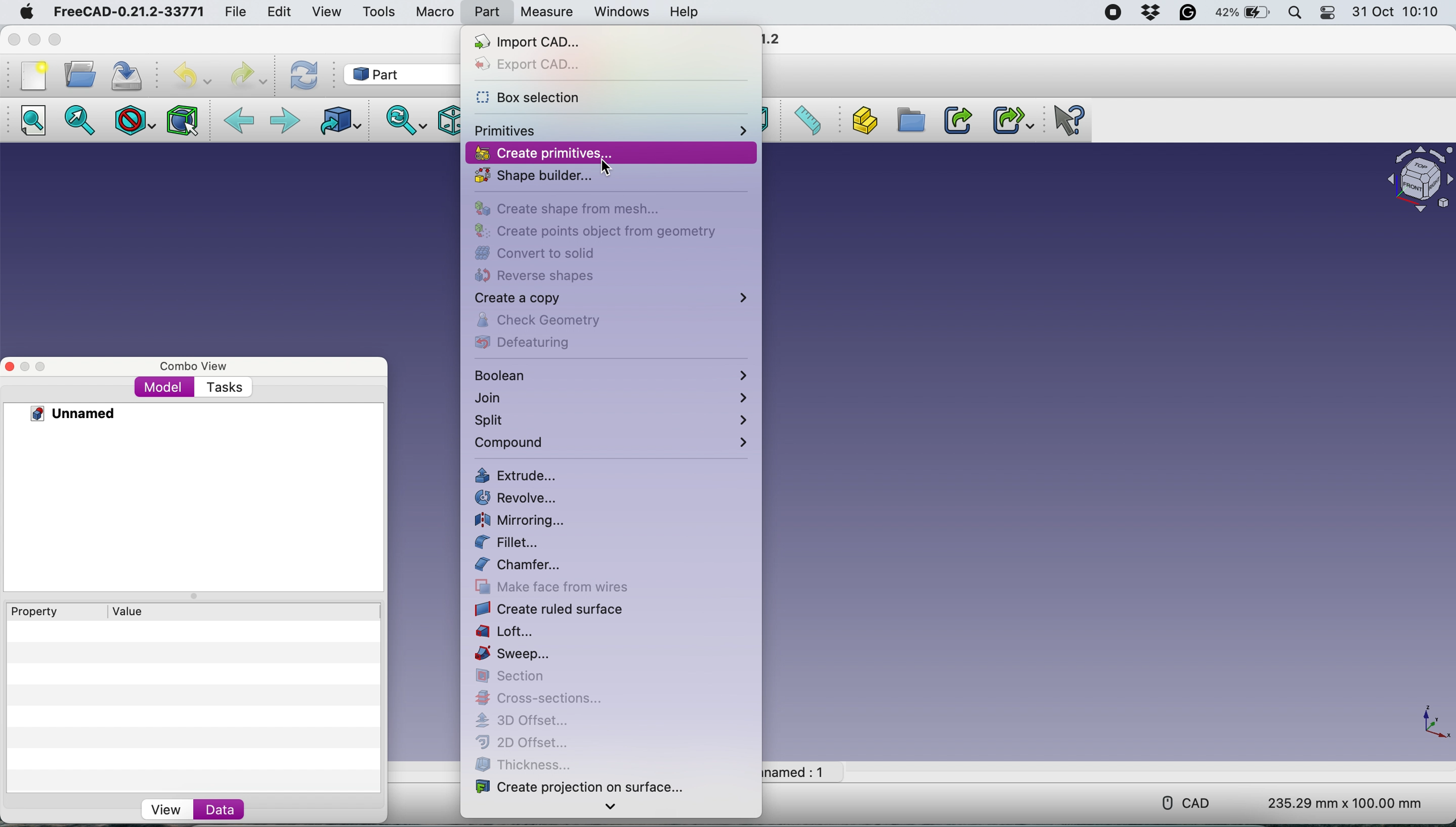 This screenshot has height=827, width=1456. What do you see at coordinates (518, 477) in the screenshot?
I see `extrude` at bounding box center [518, 477].